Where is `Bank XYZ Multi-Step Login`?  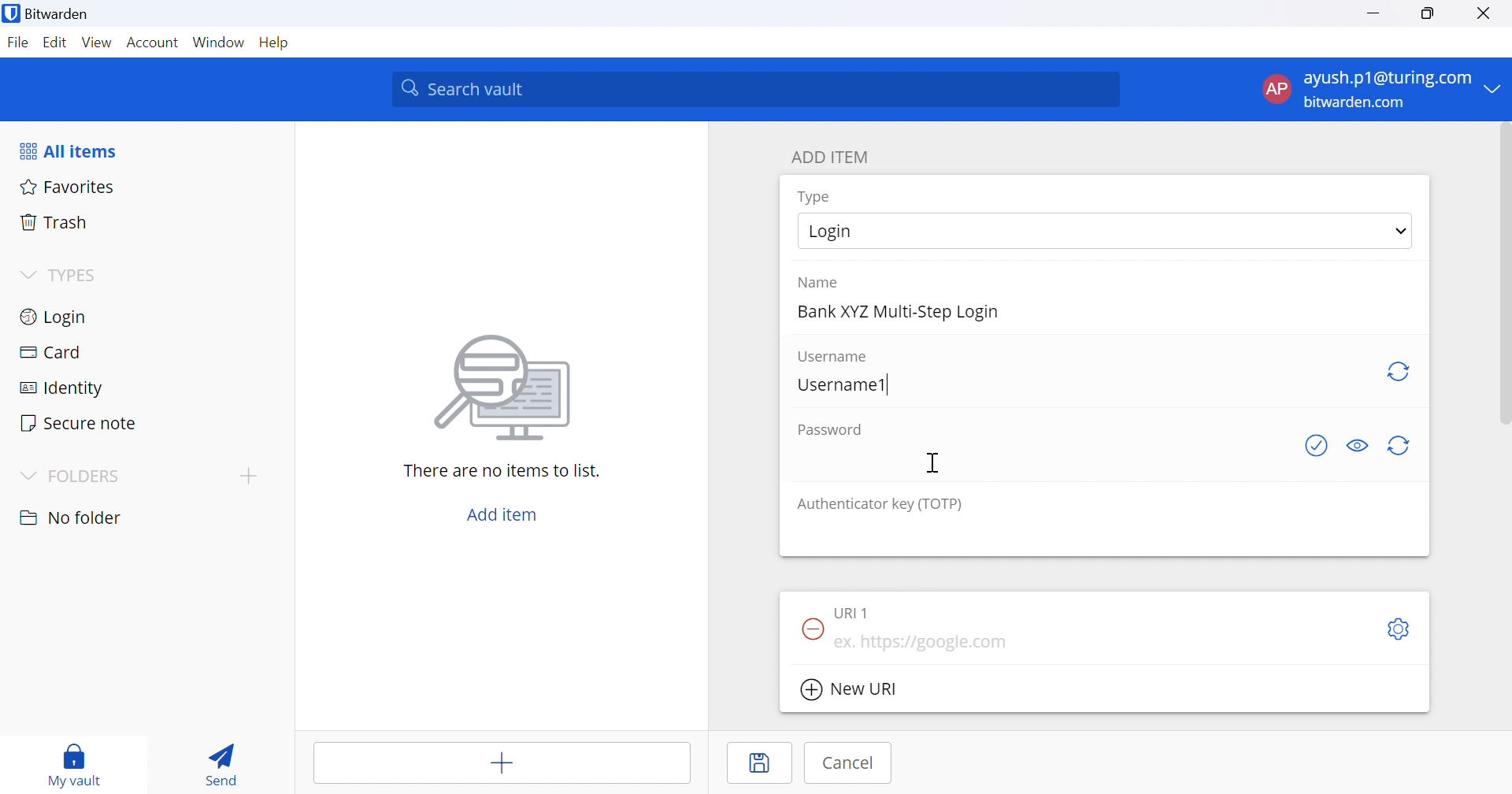
Bank XYZ Multi-Step Login is located at coordinates (900, 313).